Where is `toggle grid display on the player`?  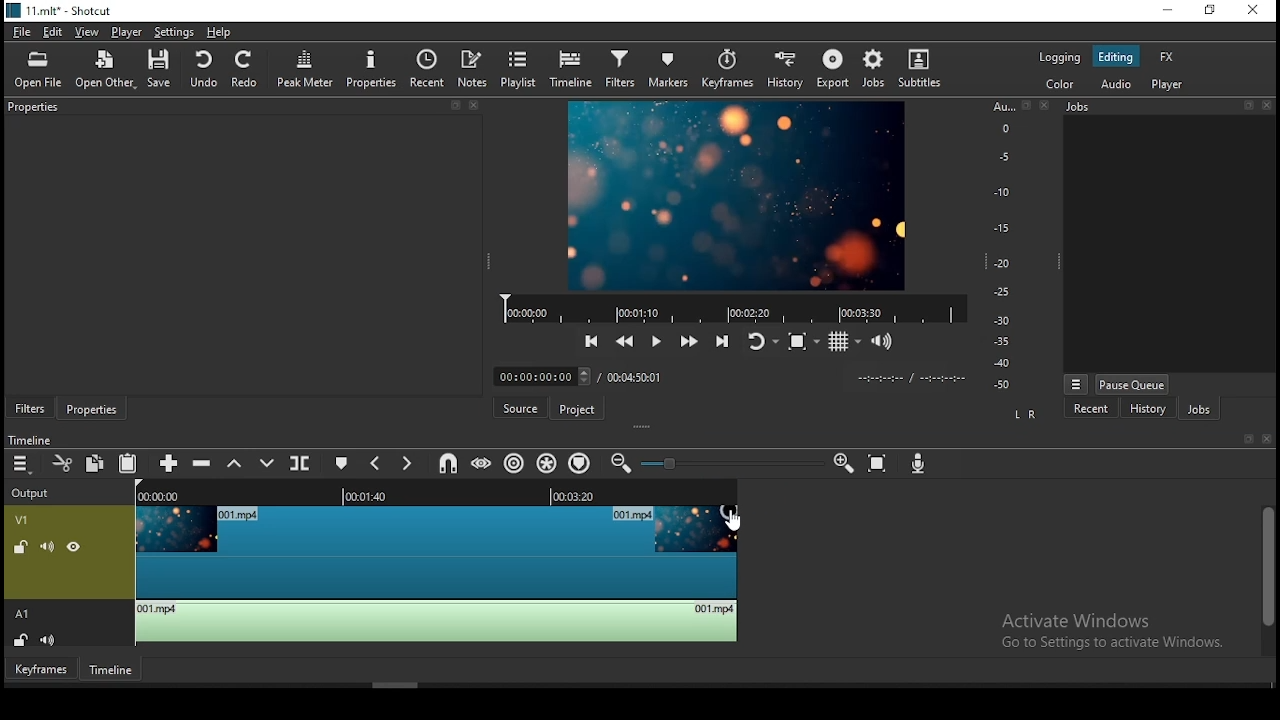
toggle grid display on the player is located at coordinates (845, 343).